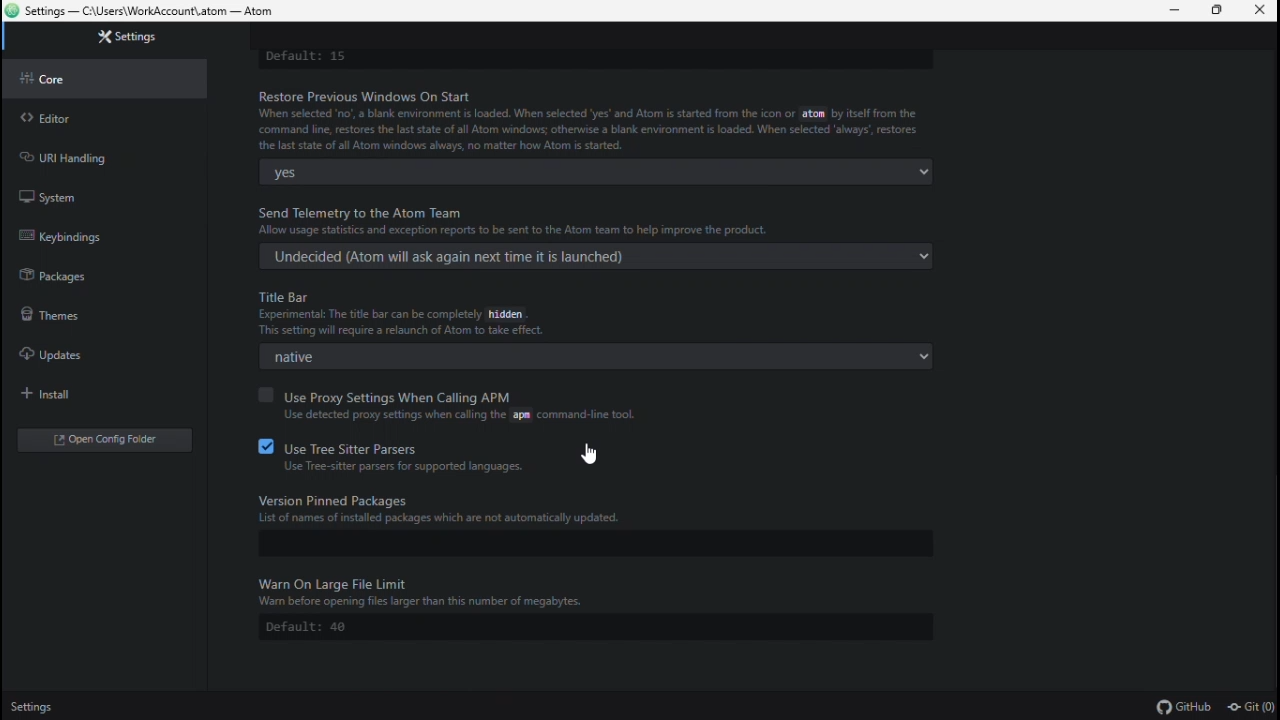  Describe the element at coordinates (588, 58) in the screenshot. I see `Default: 15` at that location.